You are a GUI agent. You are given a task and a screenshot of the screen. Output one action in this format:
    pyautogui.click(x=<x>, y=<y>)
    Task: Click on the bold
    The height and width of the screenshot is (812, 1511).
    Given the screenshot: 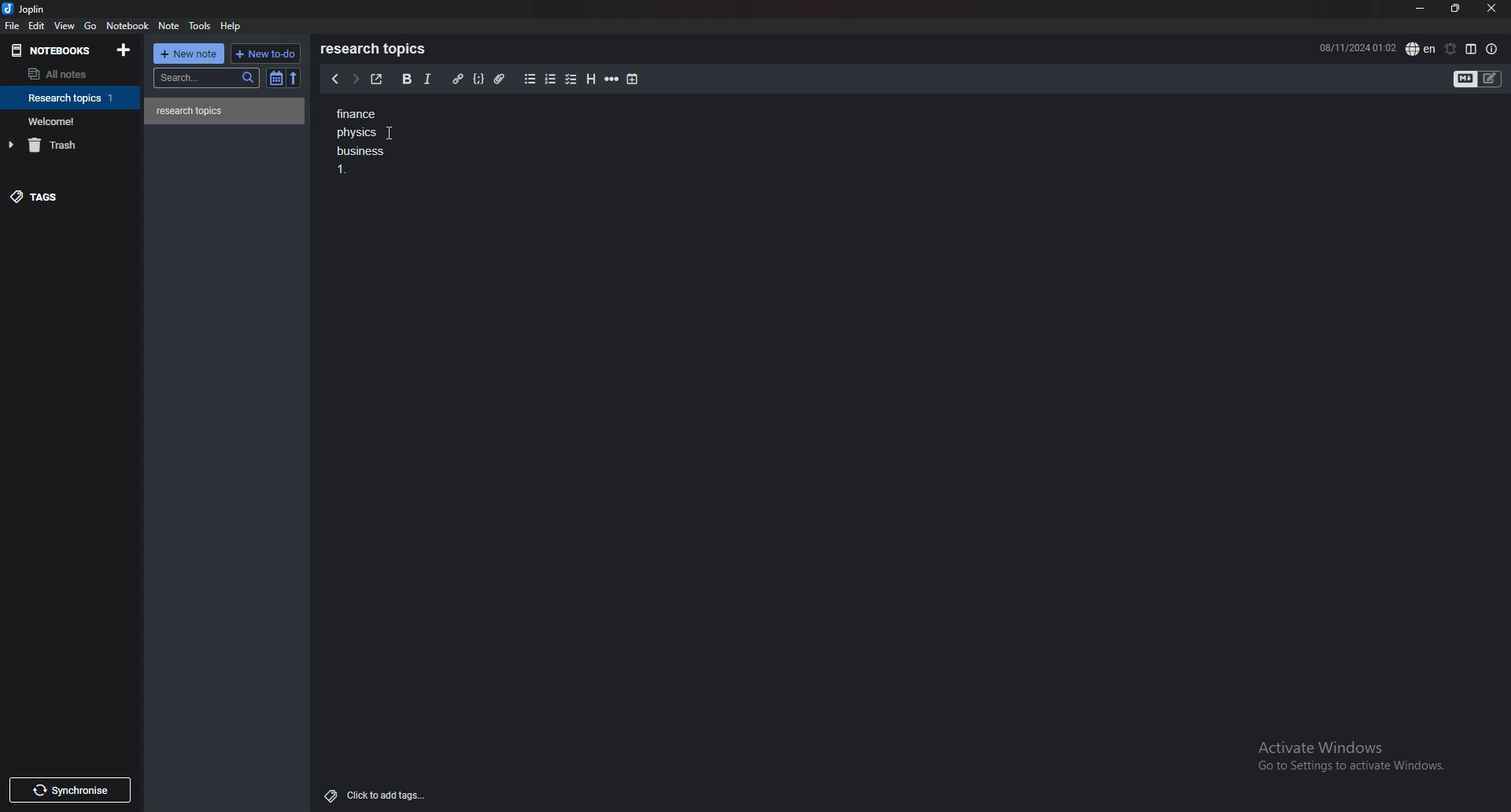 What is the action you would take?
    pyautogui.click(x=405, y=79)
    